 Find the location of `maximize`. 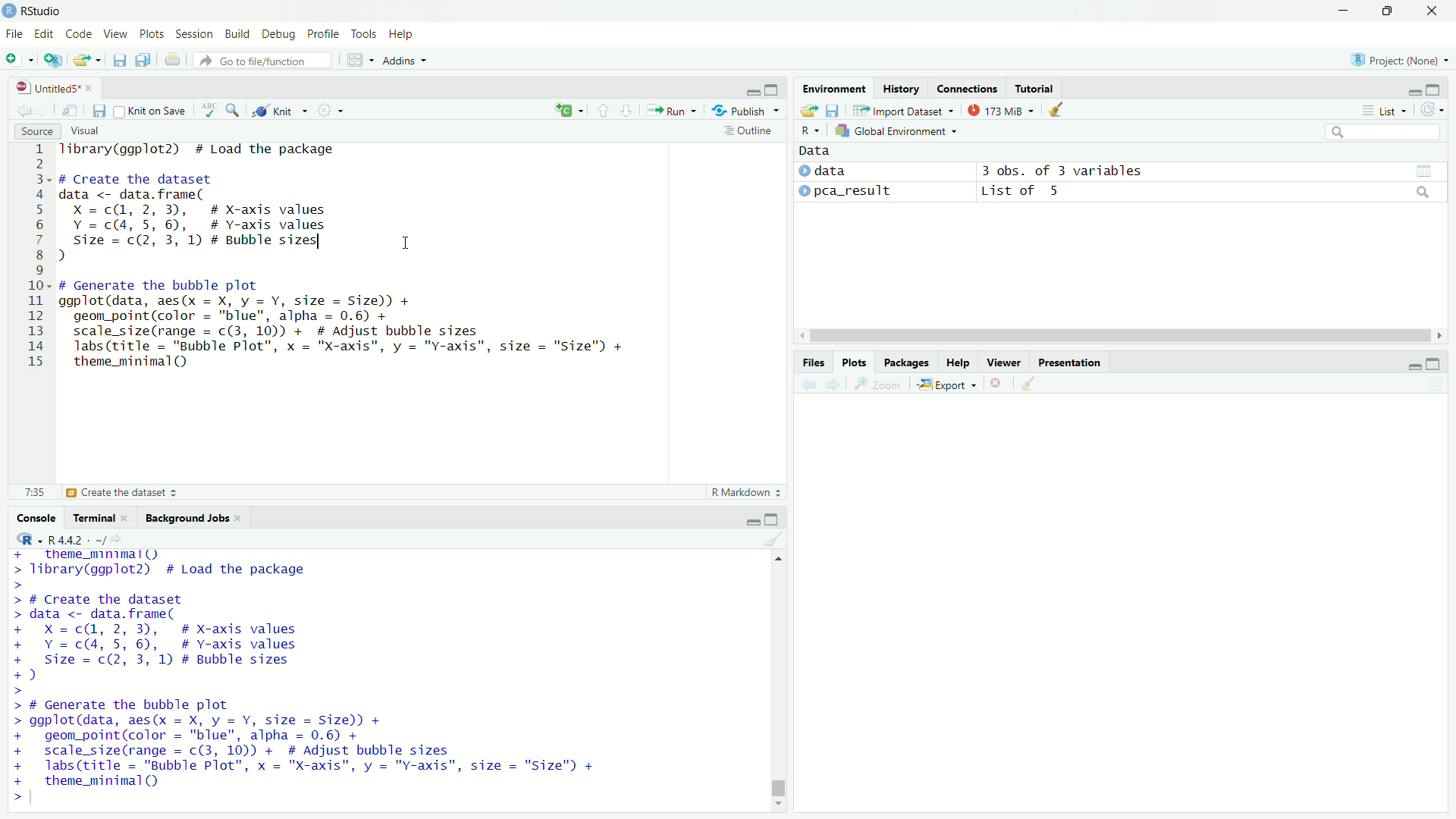

maximize is located at coordinates (772, 519).